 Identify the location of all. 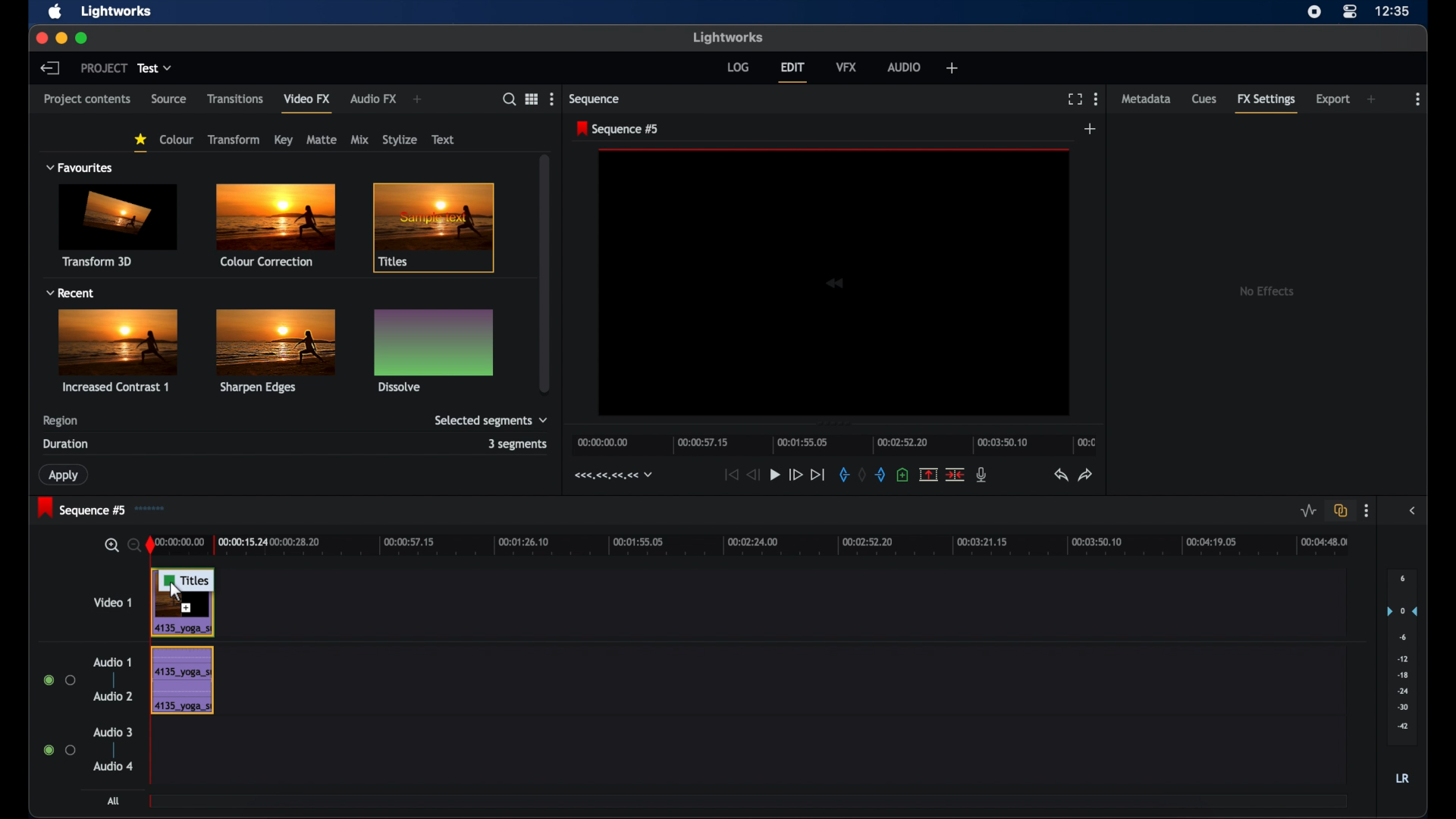
(115, 802).